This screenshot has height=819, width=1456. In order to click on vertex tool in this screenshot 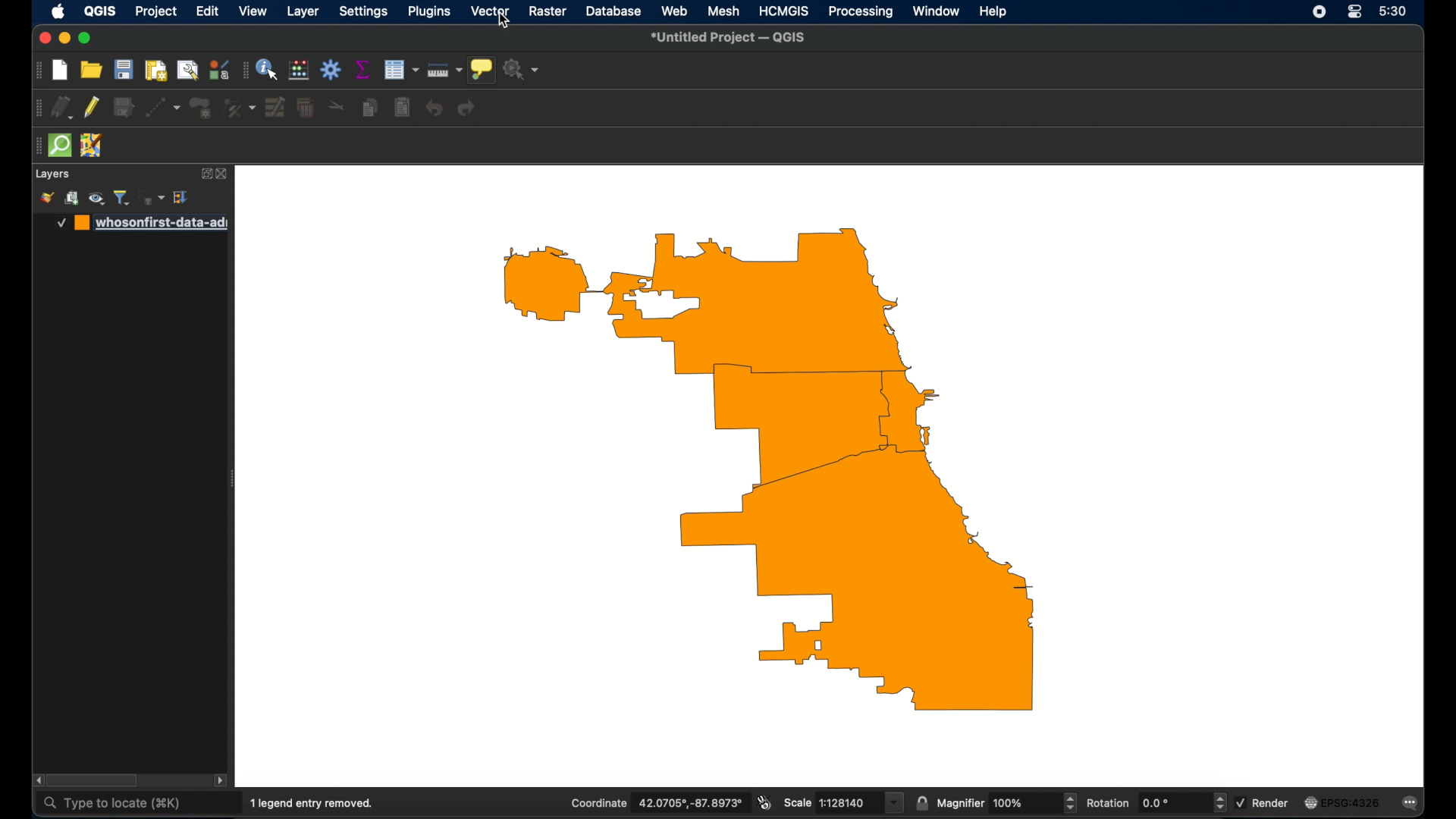, I will do `click(239, 106)`.